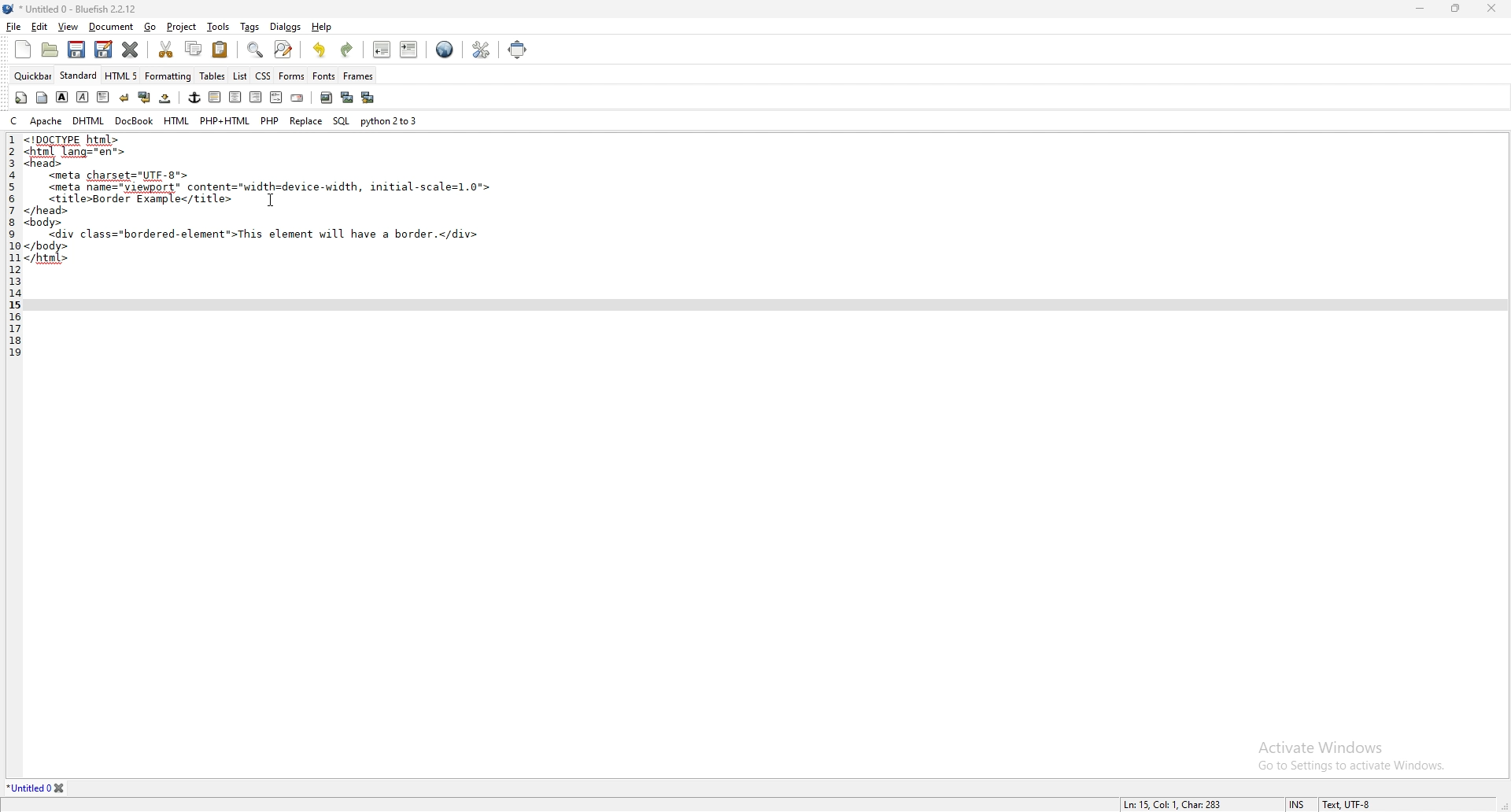  What do you see at coordinates (79, 10) in the screenshot?
I see `* Untitled 0 - Bluefish 2.2.12` at bounding box center [79, 10].